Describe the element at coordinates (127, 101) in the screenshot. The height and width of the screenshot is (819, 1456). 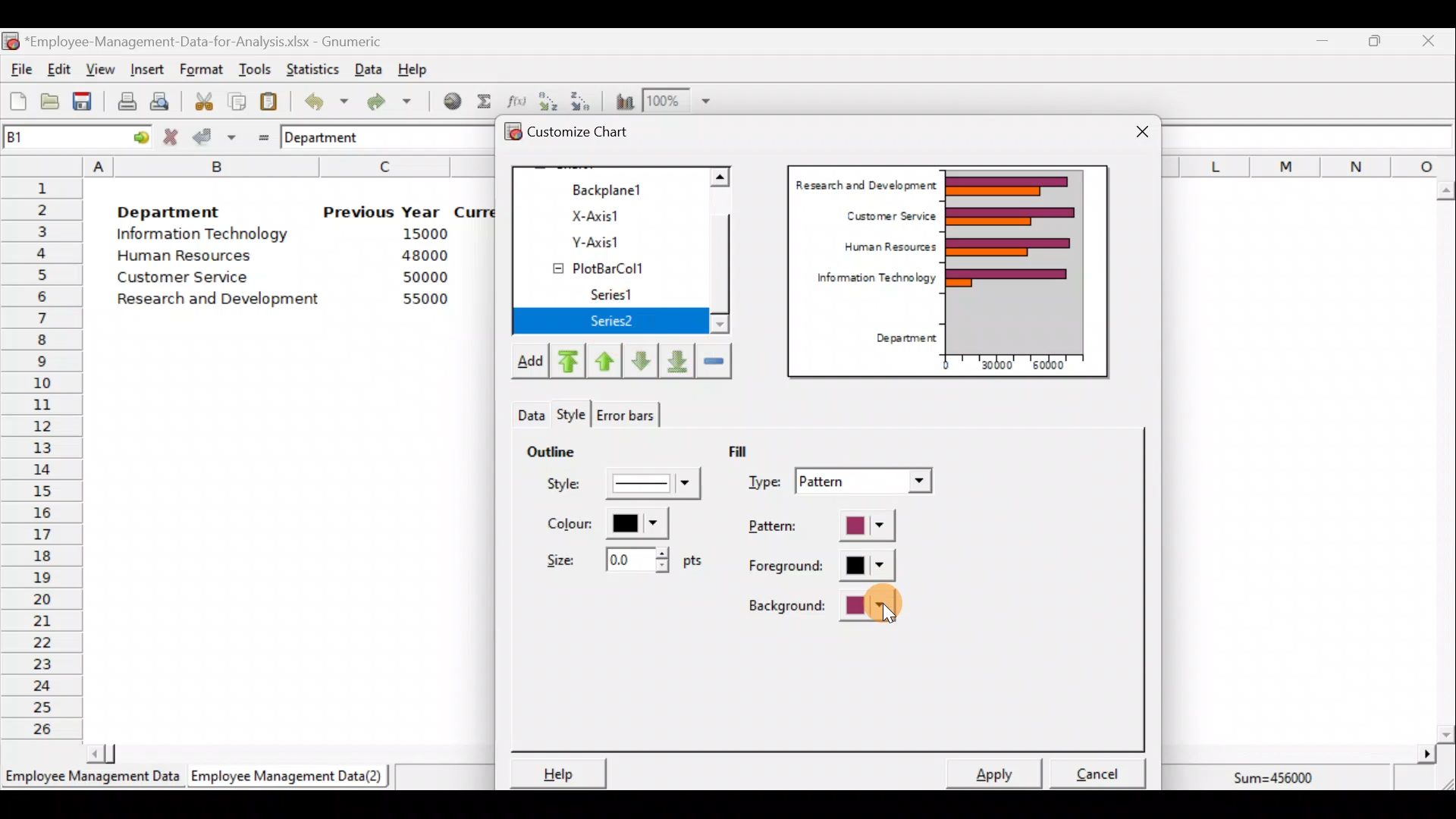
I see `Print current file` at that location.